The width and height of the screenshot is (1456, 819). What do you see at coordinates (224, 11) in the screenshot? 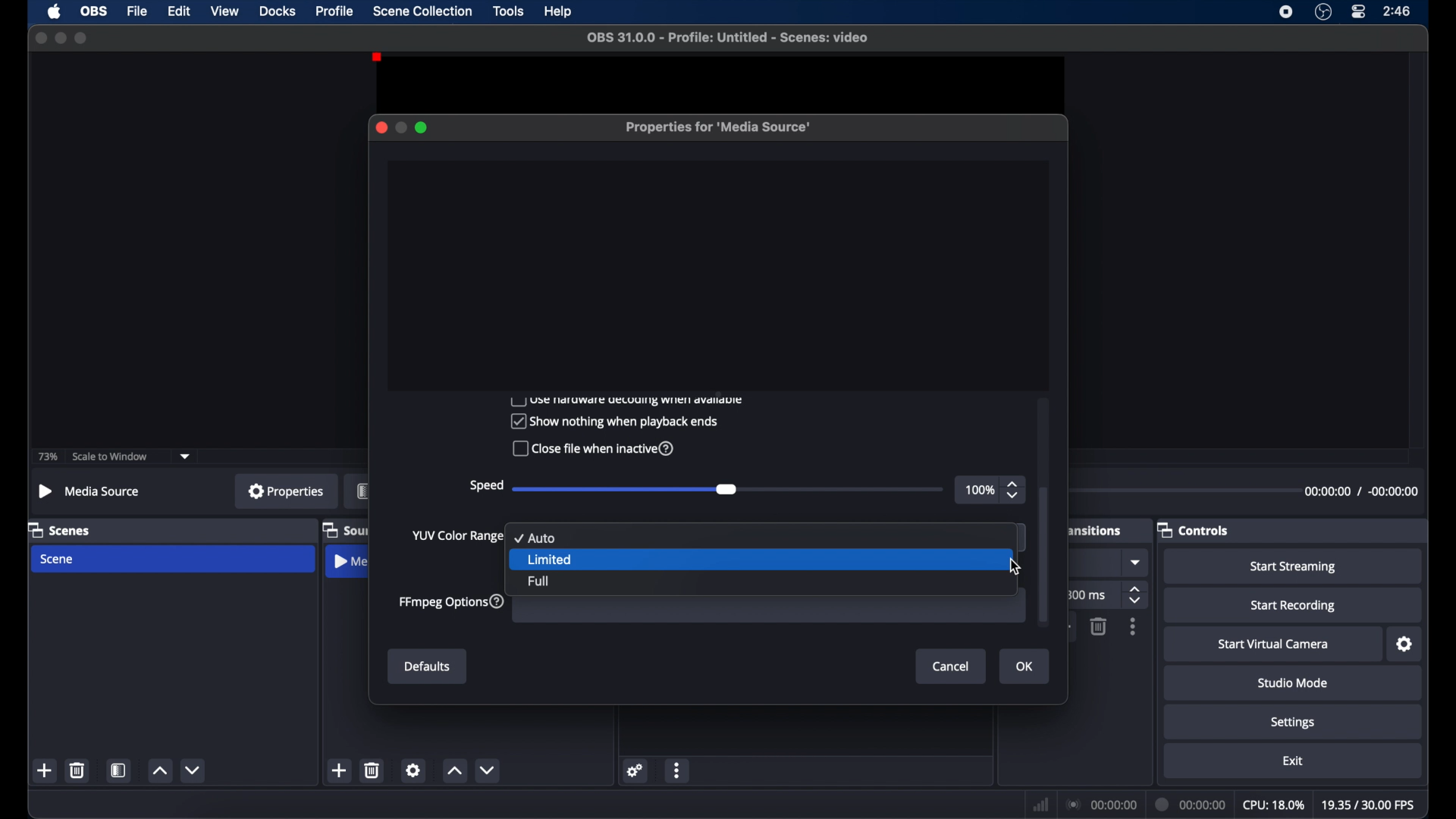
I see `view` at bounding box center [224, 11].